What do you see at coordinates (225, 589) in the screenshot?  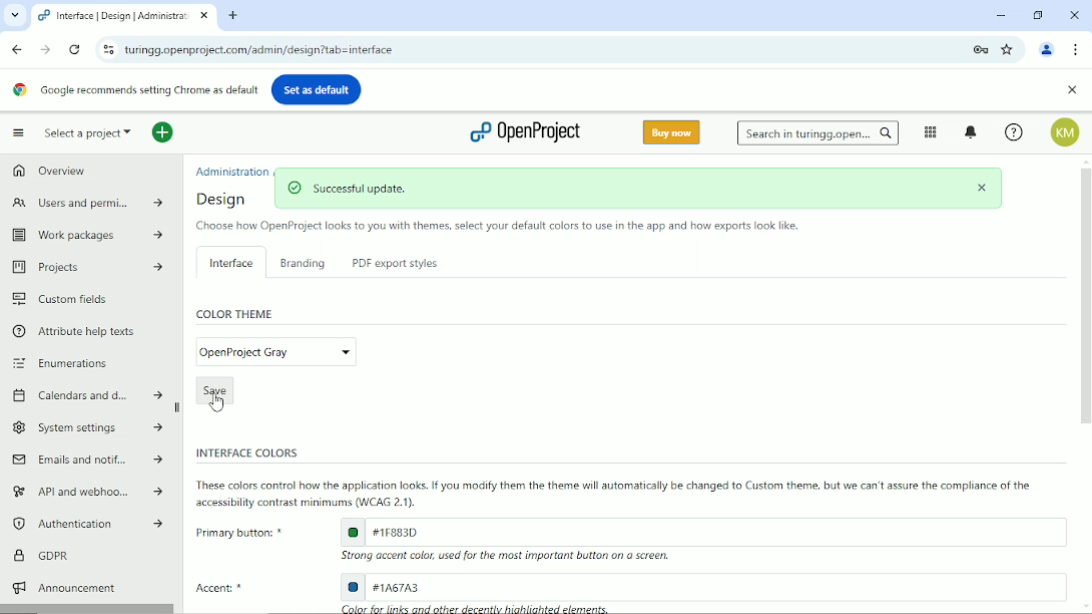 I see `Accent` at bounding box center [225, 589].